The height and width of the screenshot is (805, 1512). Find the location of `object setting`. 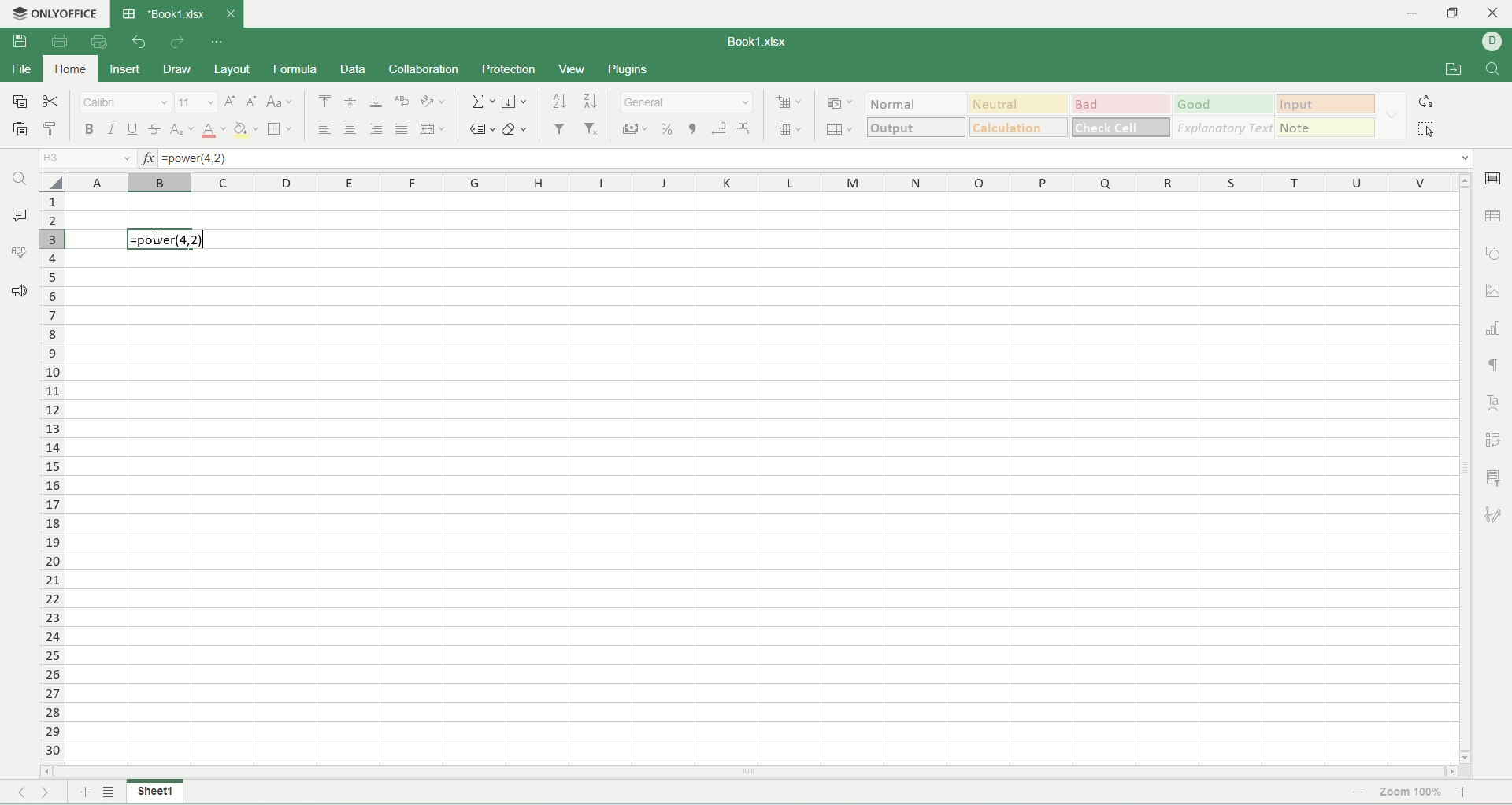

object setting is located at coordinates (1494, 253).